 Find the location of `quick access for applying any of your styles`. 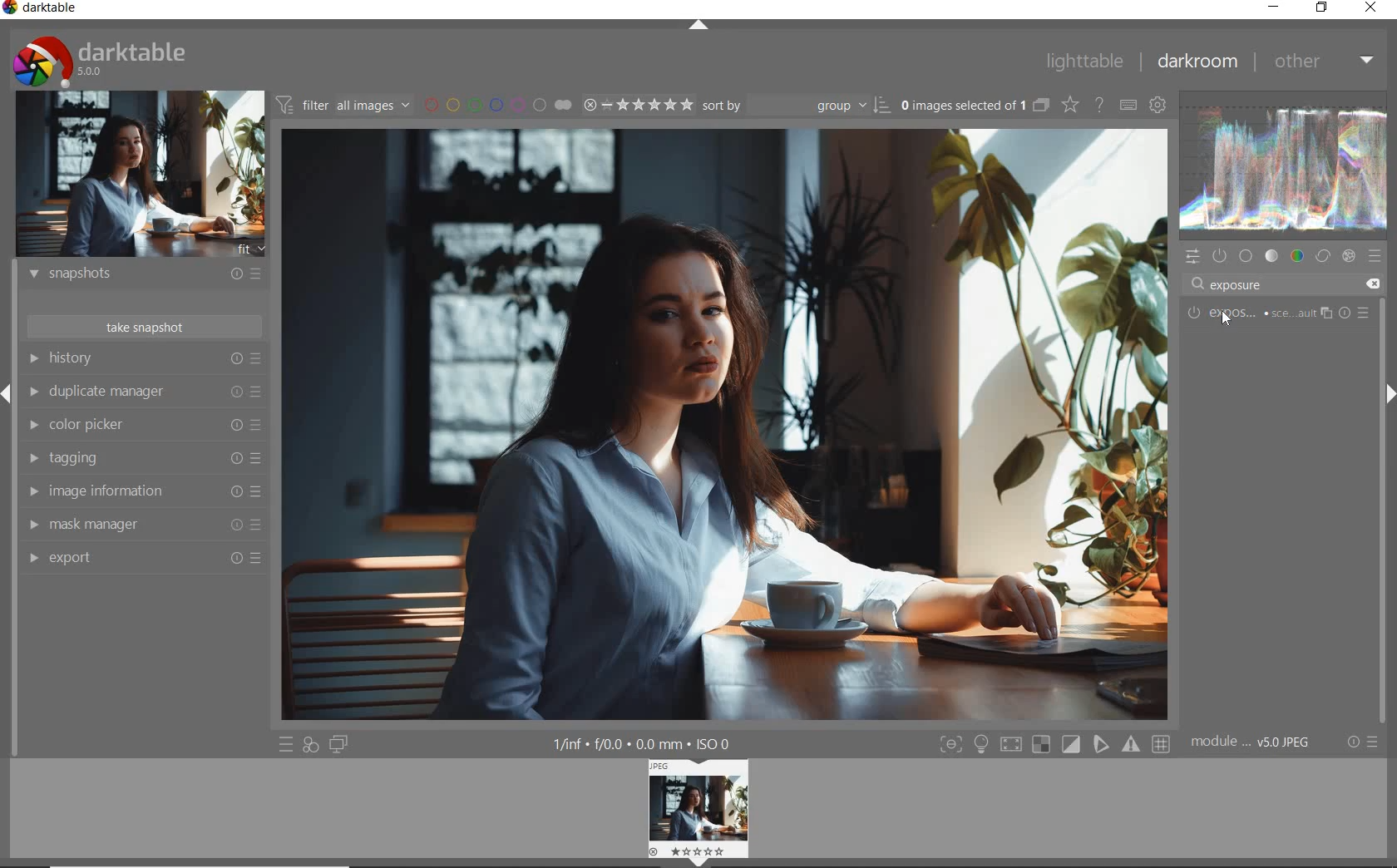

quick access for applying any of your styles is located at coordinates (309, 746).